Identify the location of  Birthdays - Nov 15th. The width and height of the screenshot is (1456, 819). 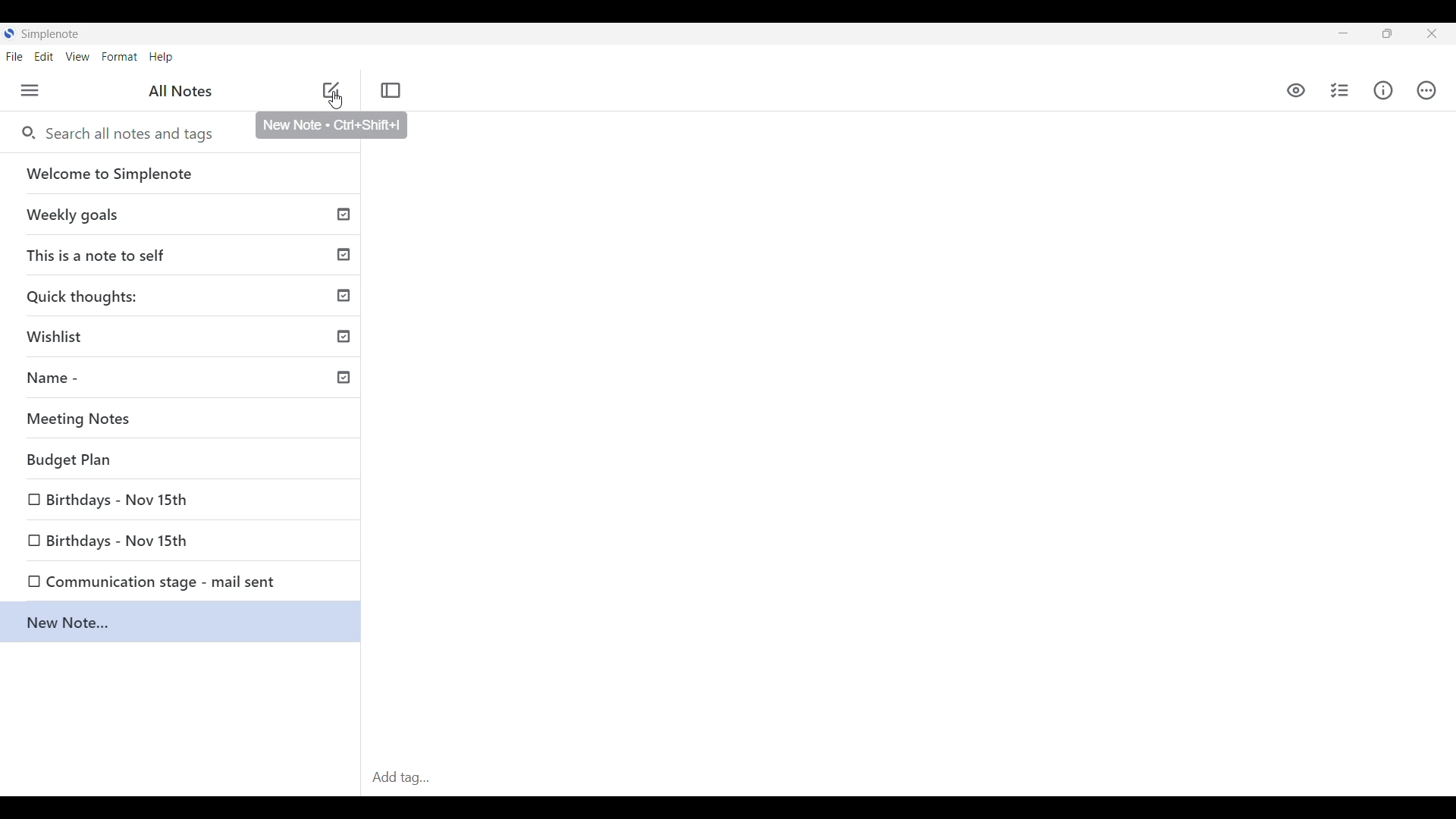
(182, 496).